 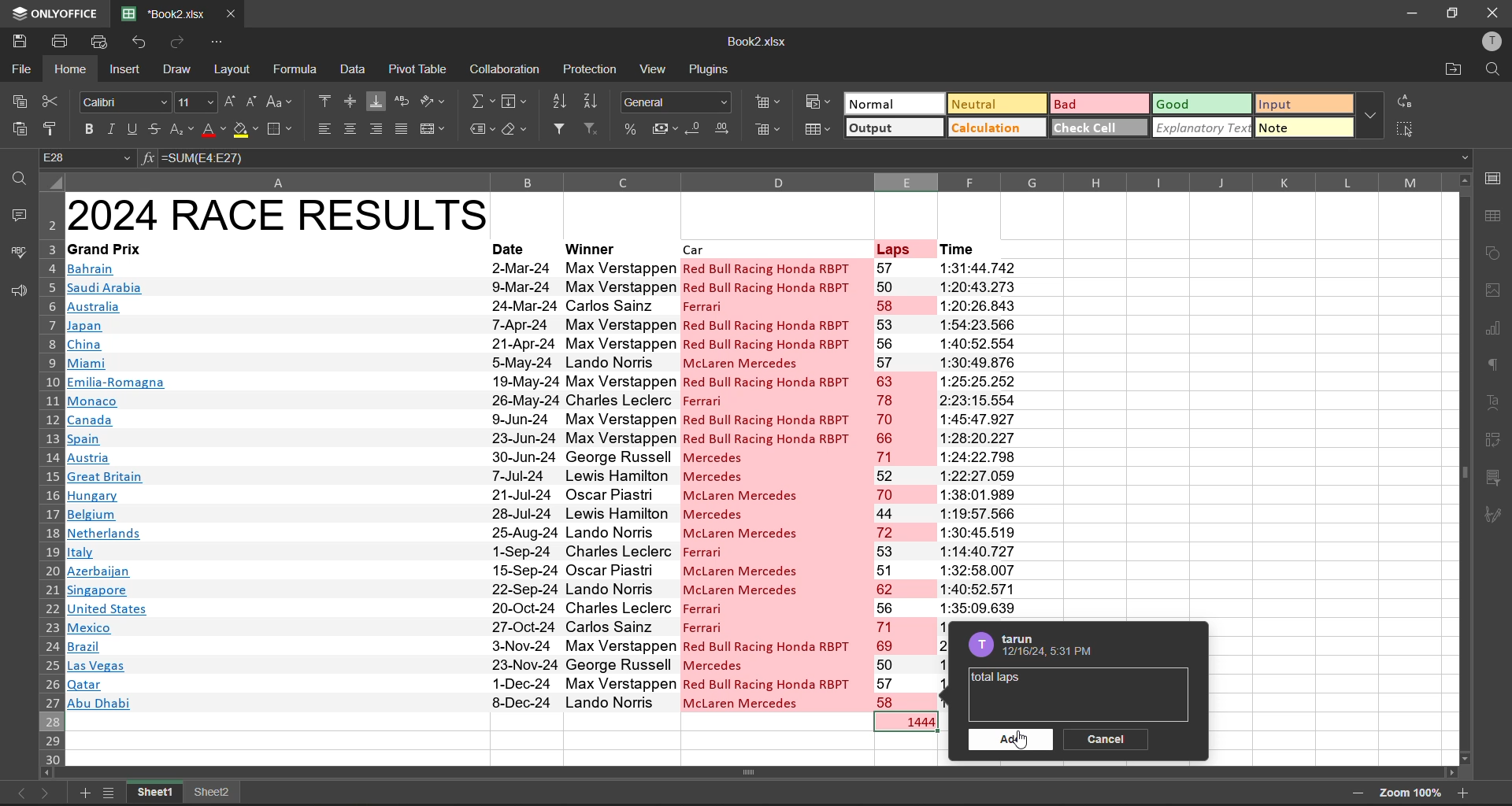 I want to click on signature, so click(x=1494, y=519).